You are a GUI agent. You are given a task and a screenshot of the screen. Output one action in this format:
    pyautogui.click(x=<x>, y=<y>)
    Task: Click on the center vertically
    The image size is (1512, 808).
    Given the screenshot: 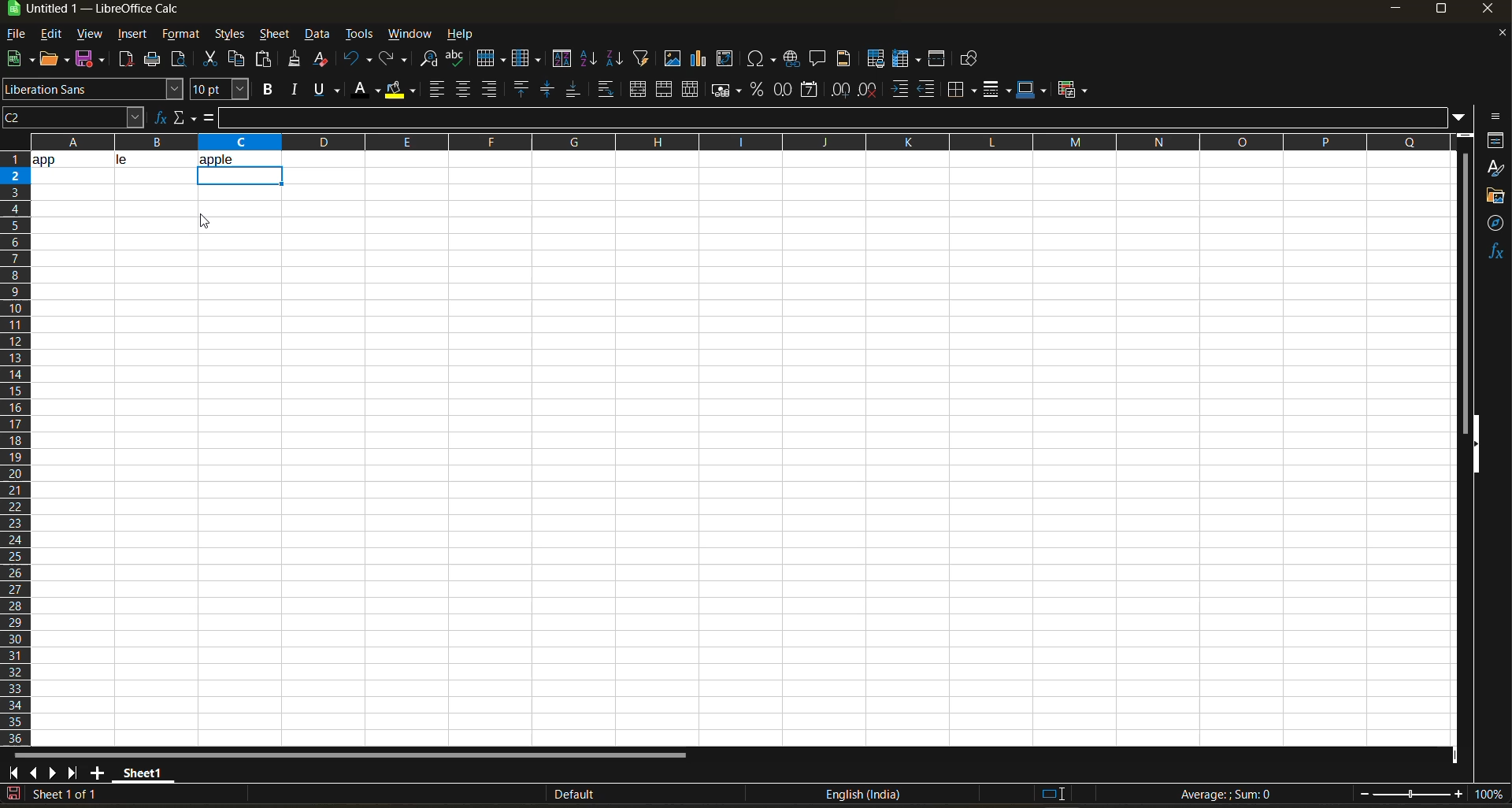 What is the action you would take?
    pyautogui.click(x=547, y=90)
    